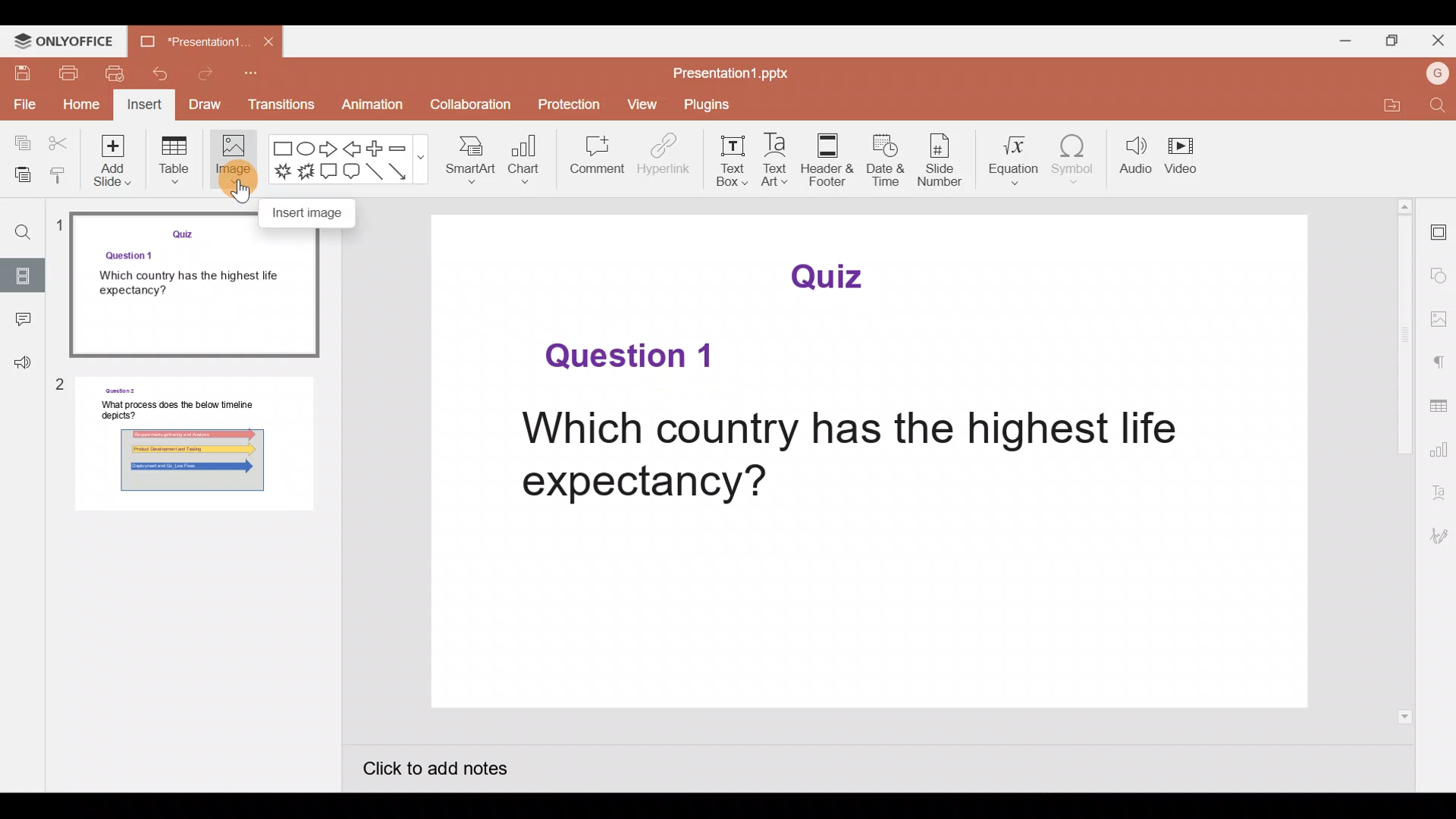  I want to click on Paragraph settings, so click(1439, 362).